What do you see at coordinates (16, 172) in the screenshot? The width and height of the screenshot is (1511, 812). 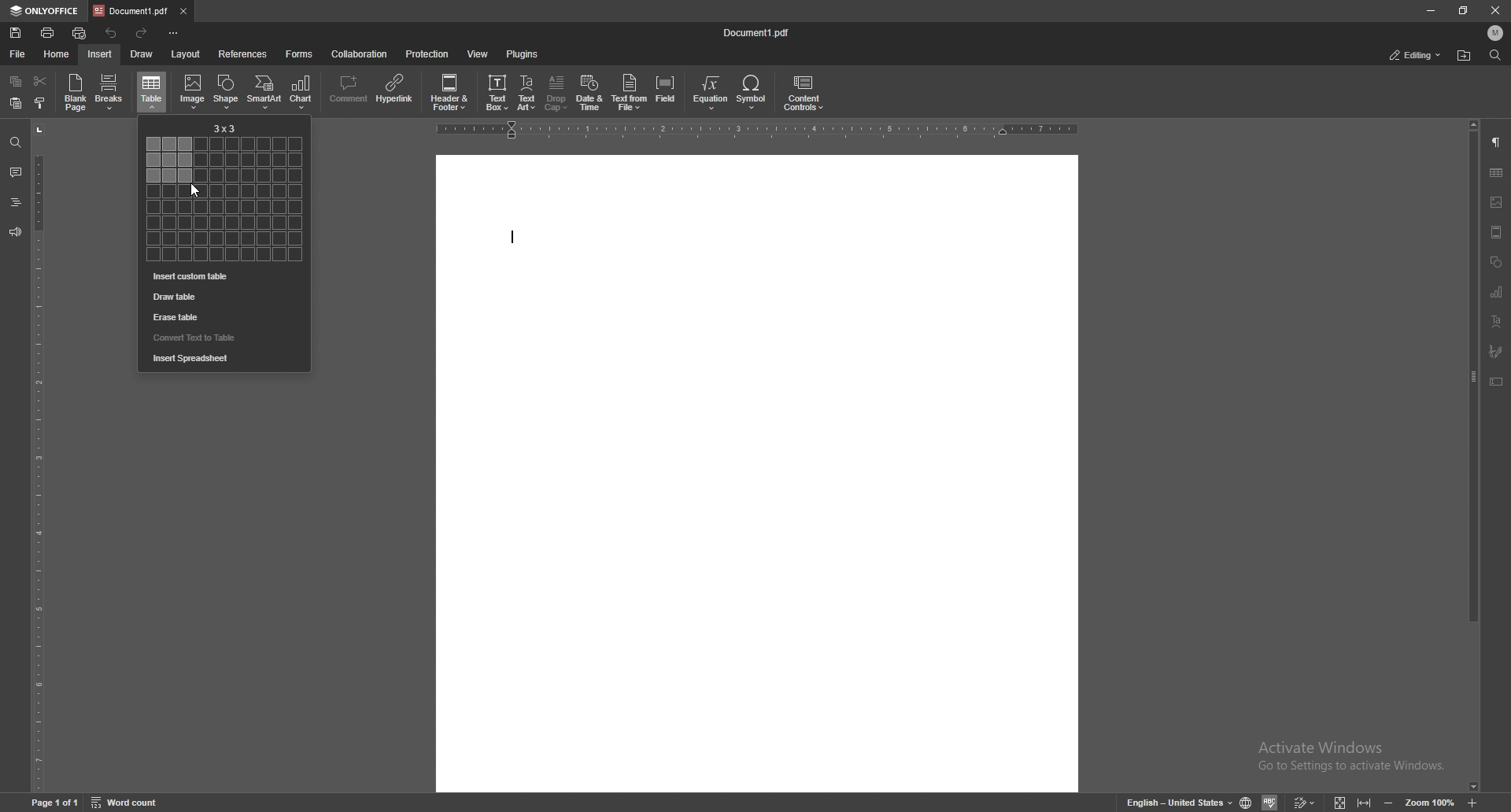 I see `comment` at bounding box center [16, 172].